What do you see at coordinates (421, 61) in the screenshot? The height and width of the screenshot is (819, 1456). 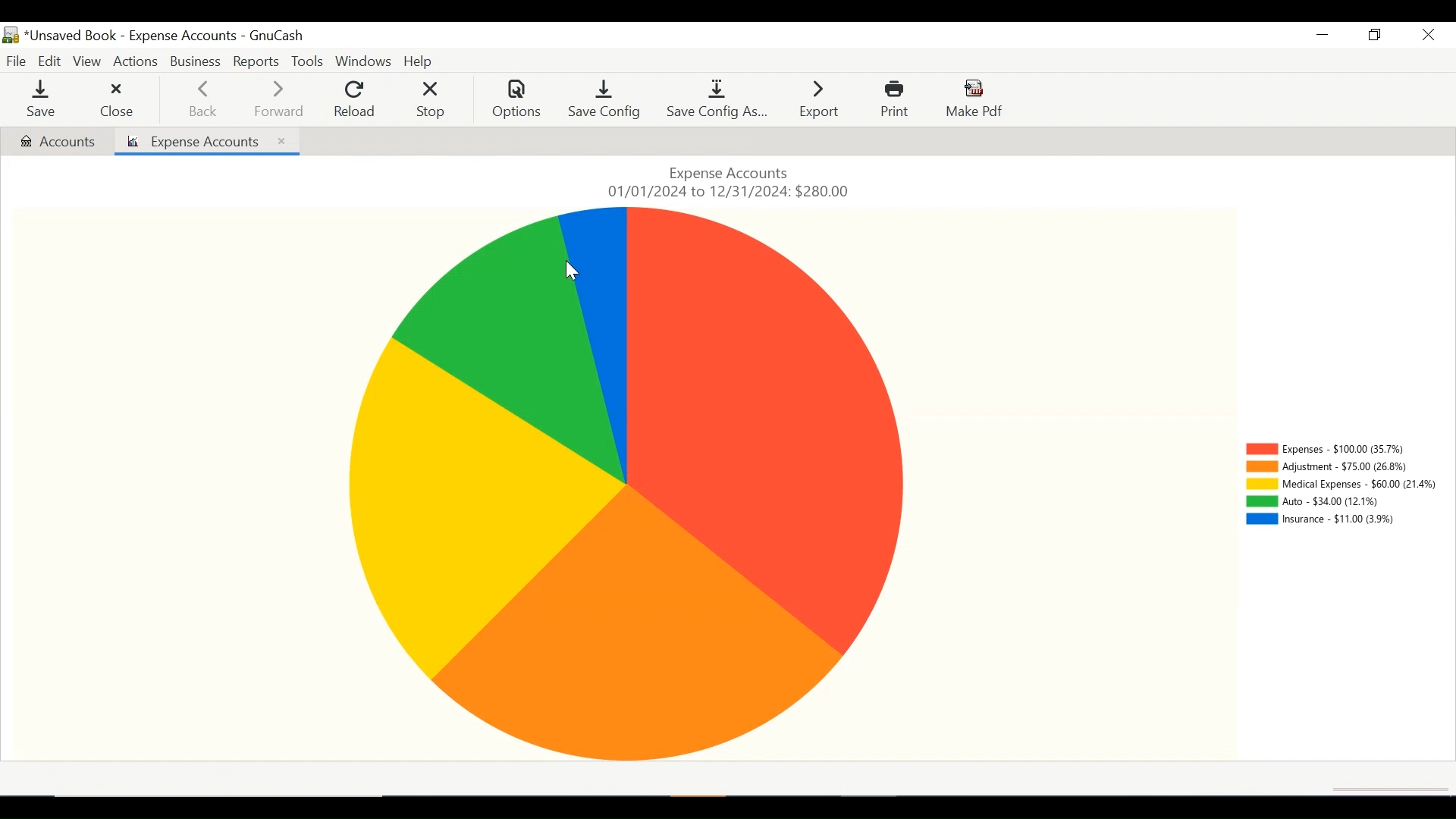 I see `Help` at bounding box center [421, 61].